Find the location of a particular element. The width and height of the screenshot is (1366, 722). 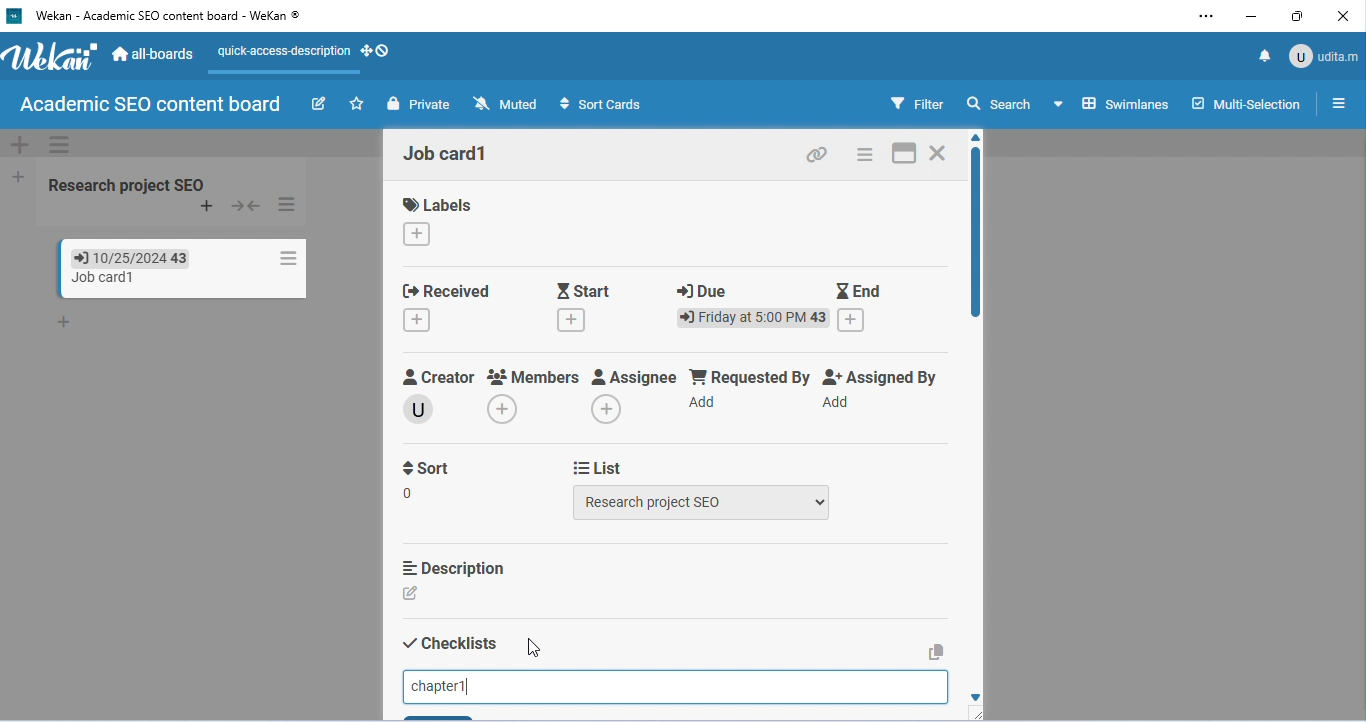

list actions is located at coordinates (289, 205).